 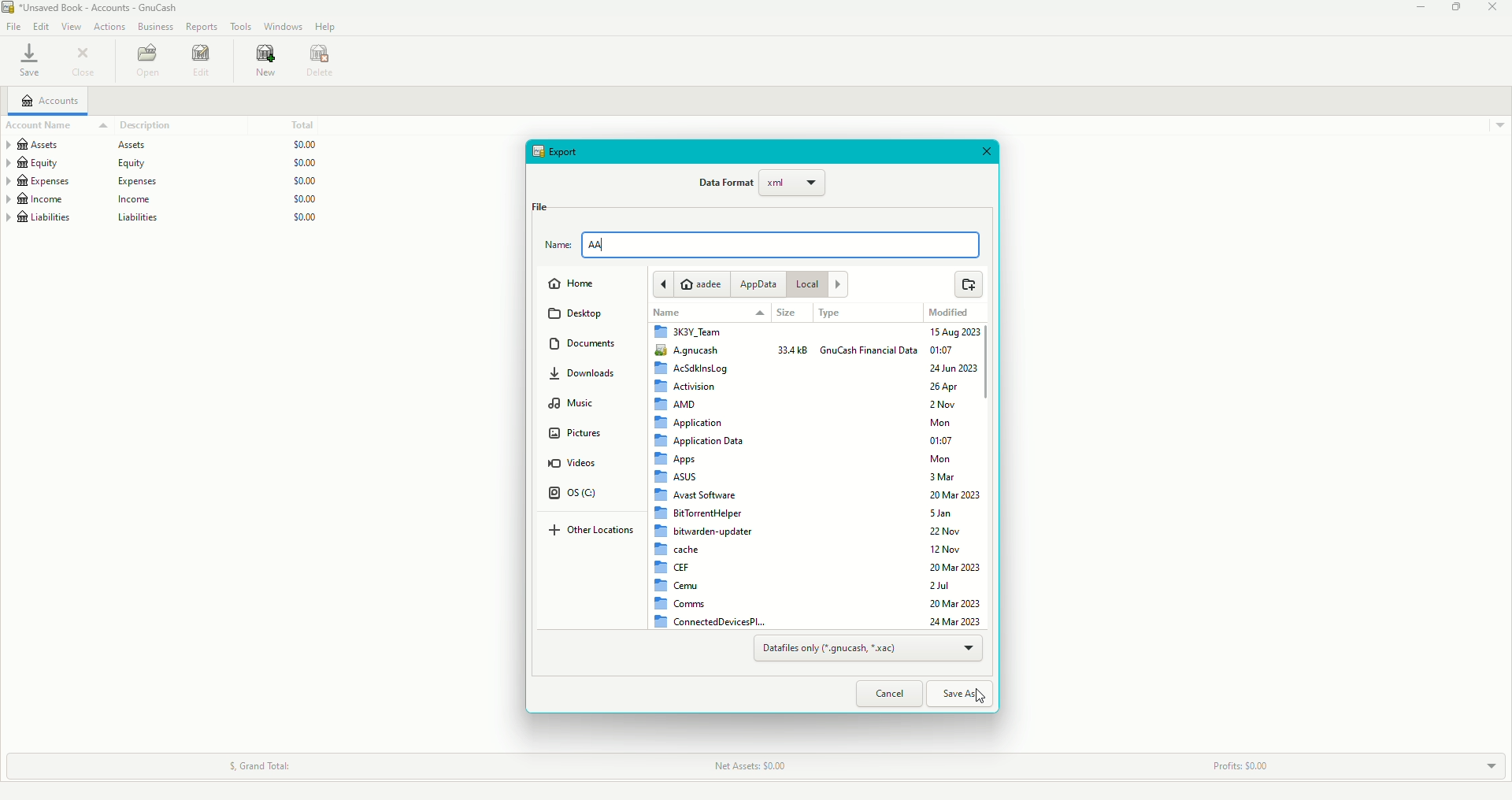 I want to click on Reports, so click(x=202, y=28).